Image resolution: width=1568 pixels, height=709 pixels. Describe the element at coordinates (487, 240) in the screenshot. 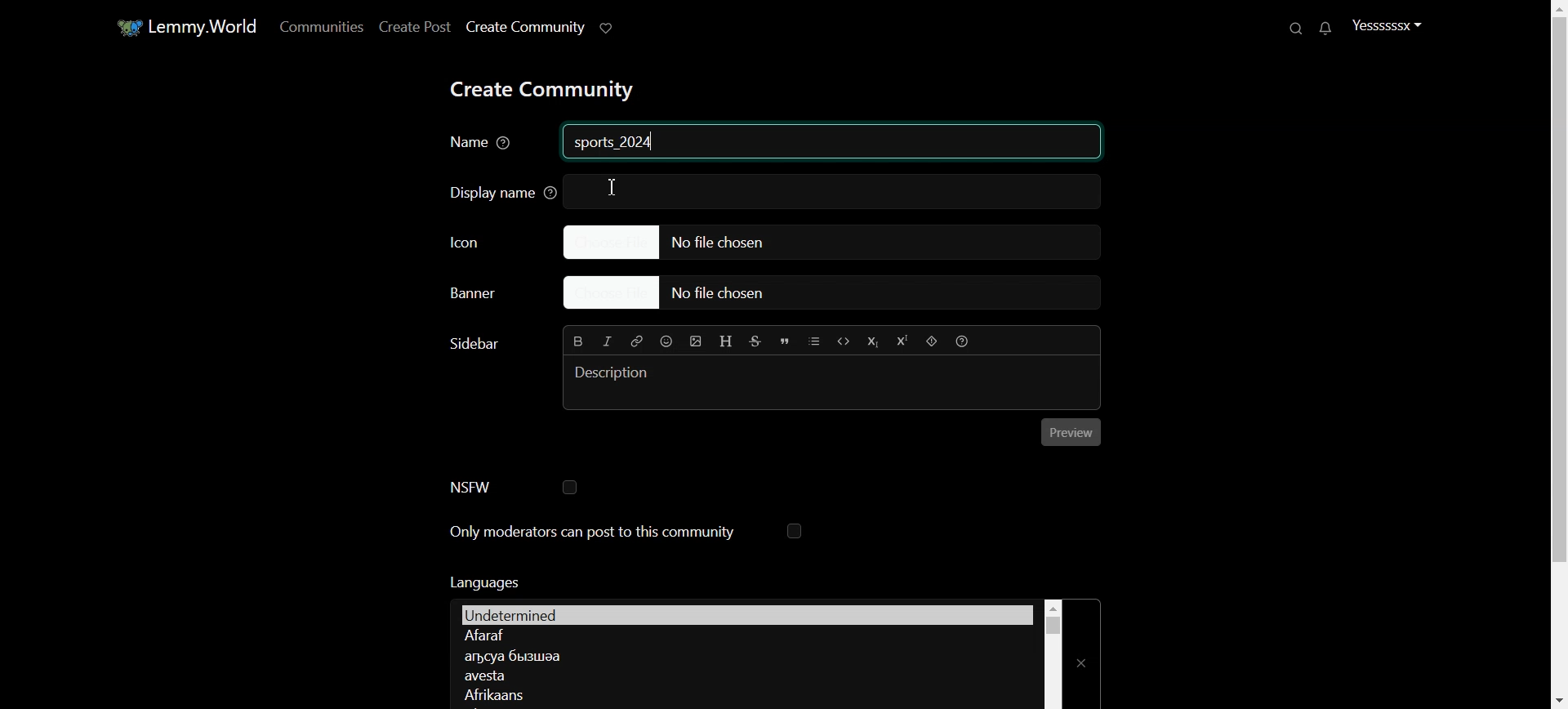

I see `Icon ` at that location.